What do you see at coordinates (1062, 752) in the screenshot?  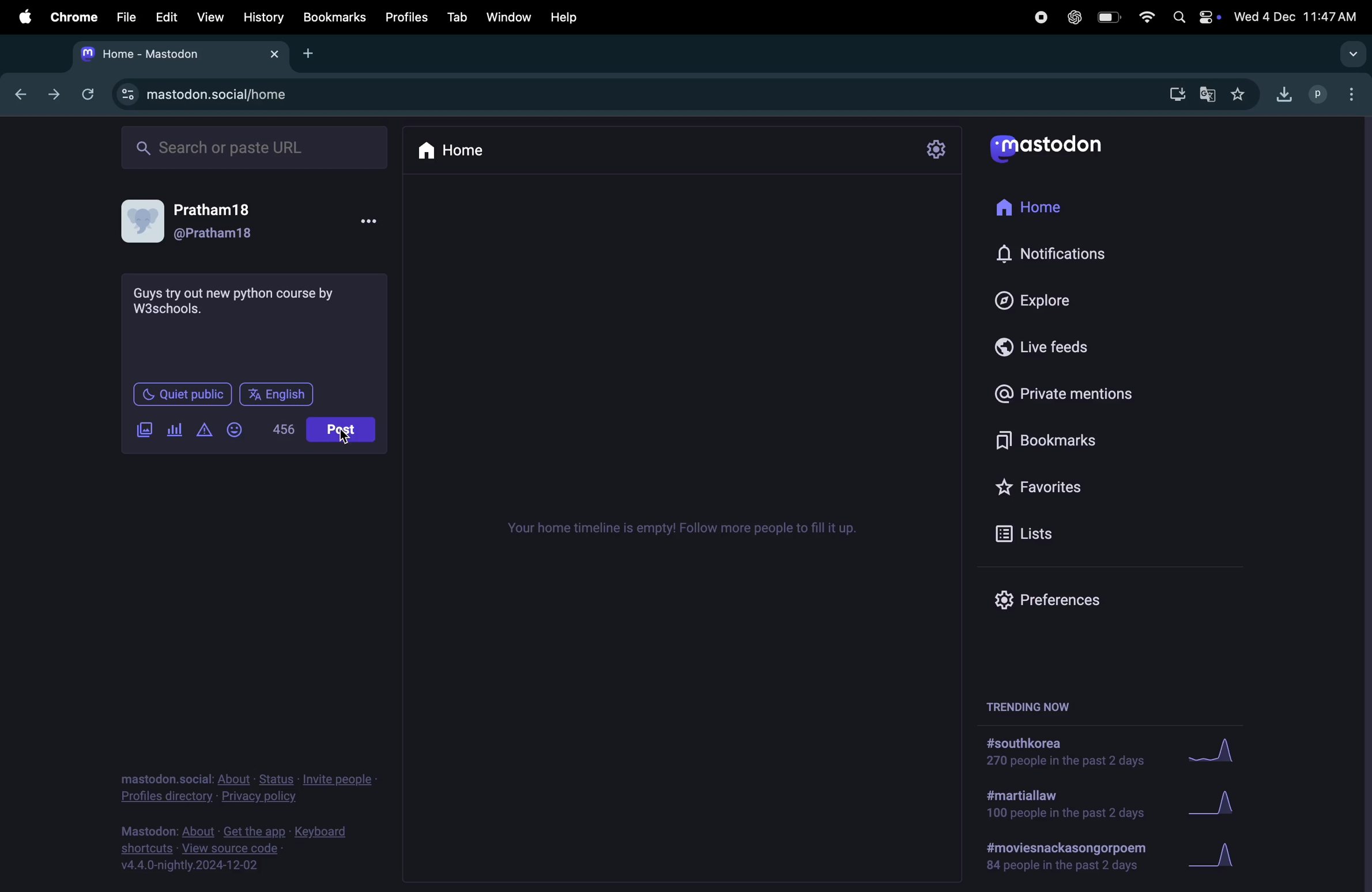 I see `#south korea` at bounding box center [1062, 752].